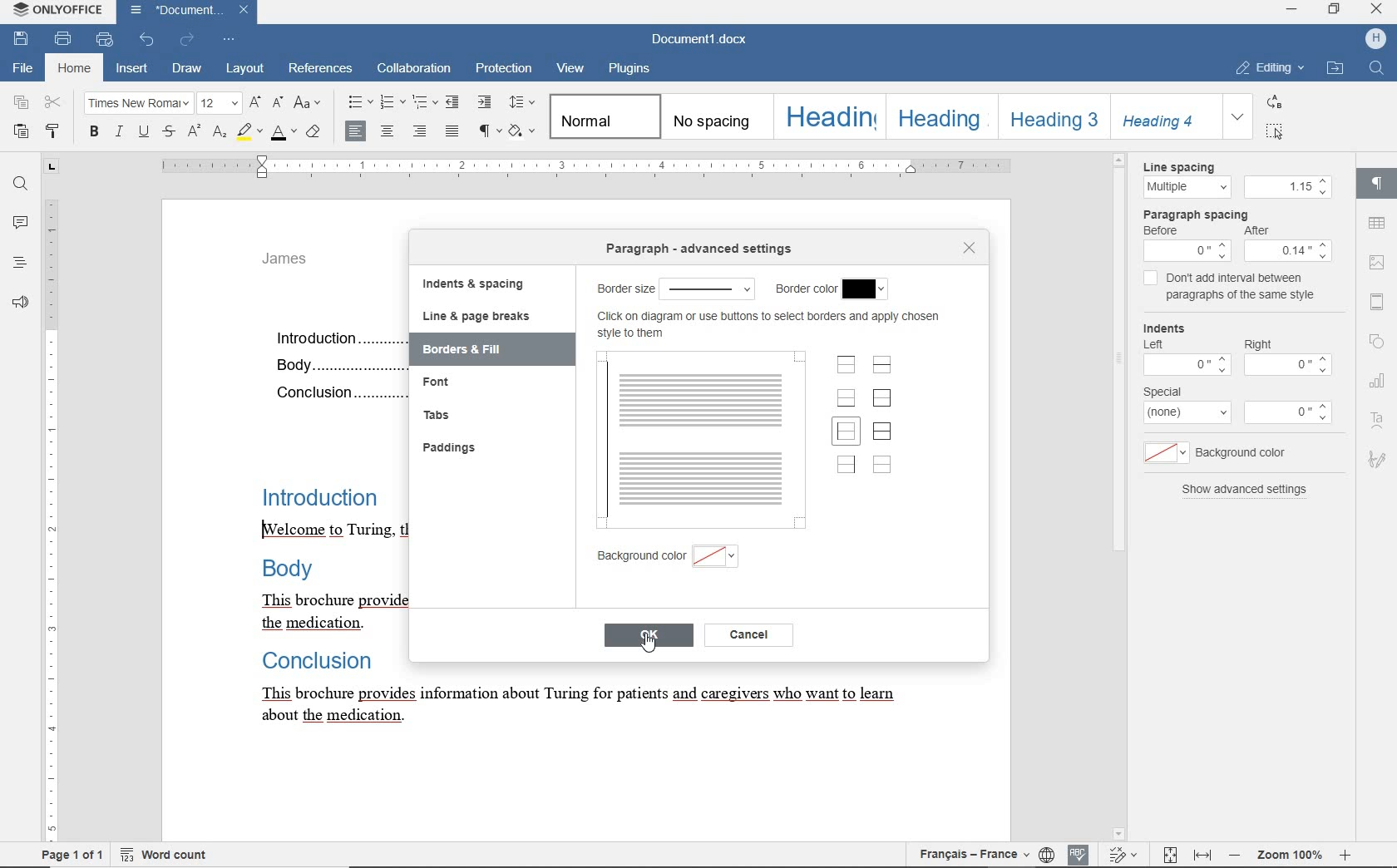 This screenshot has height=868, width=1397. Describe the element at coordinates (1287, 367) in the screenshot. I see `more options` at that location.